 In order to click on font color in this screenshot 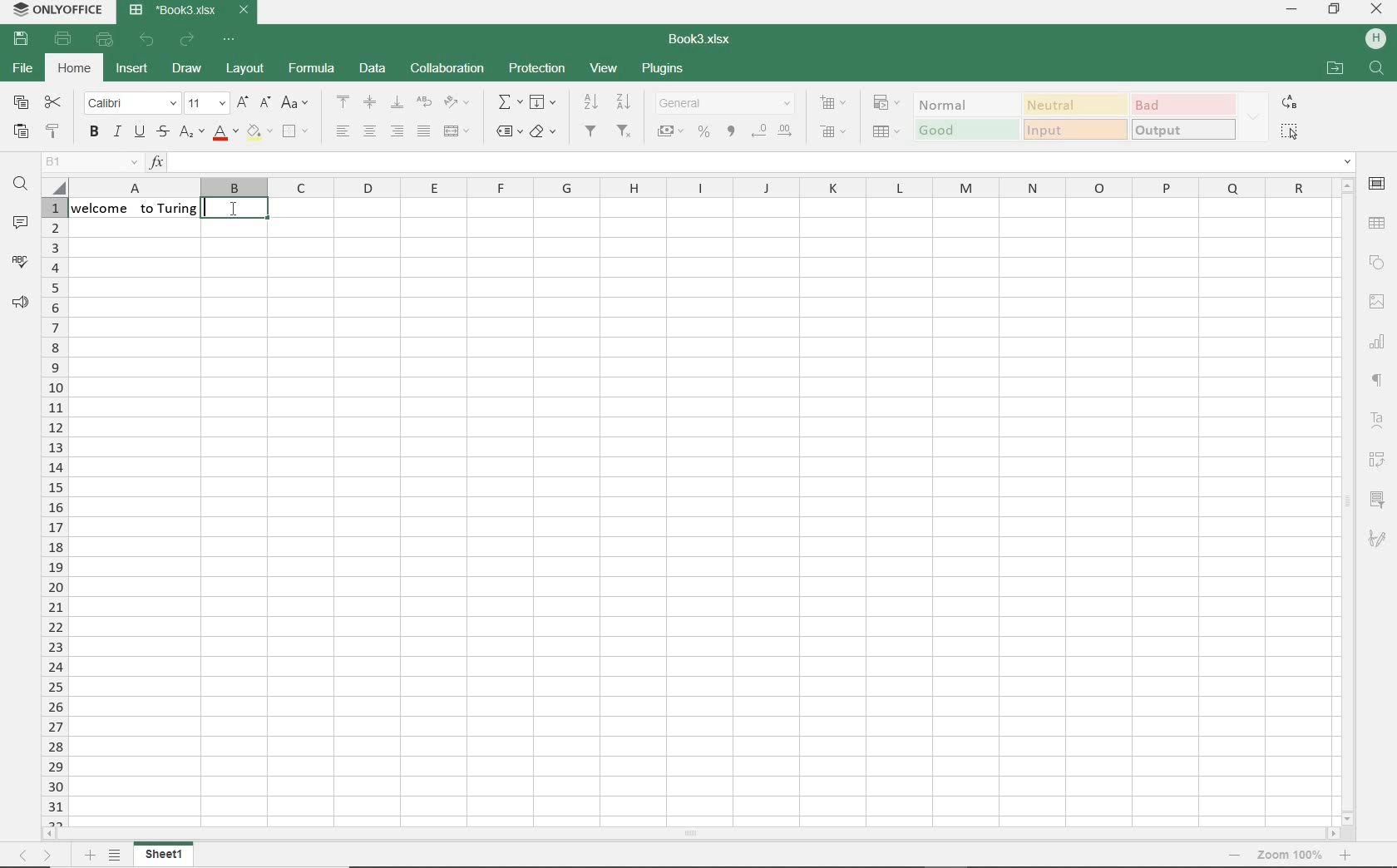, I will do `click(225, 132)`.